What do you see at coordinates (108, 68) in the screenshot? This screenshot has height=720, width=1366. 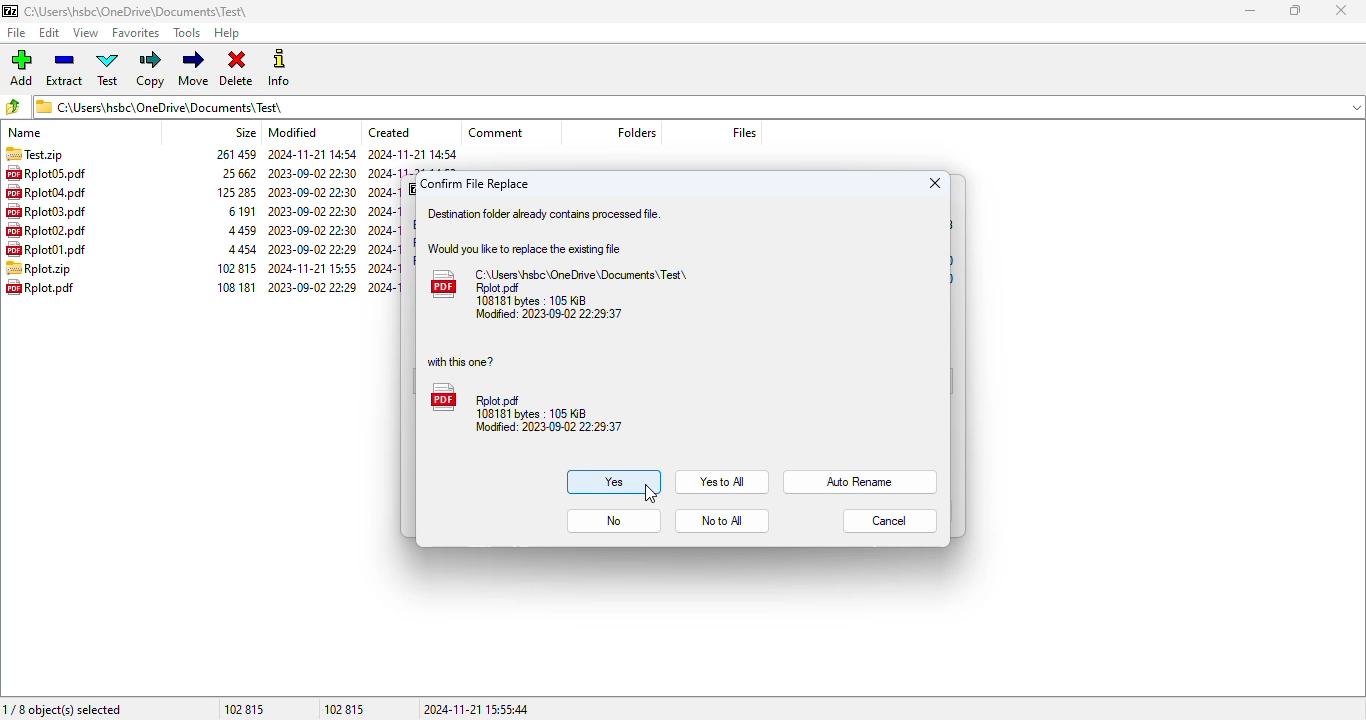 I see `test` at bounding box center [108, 68].